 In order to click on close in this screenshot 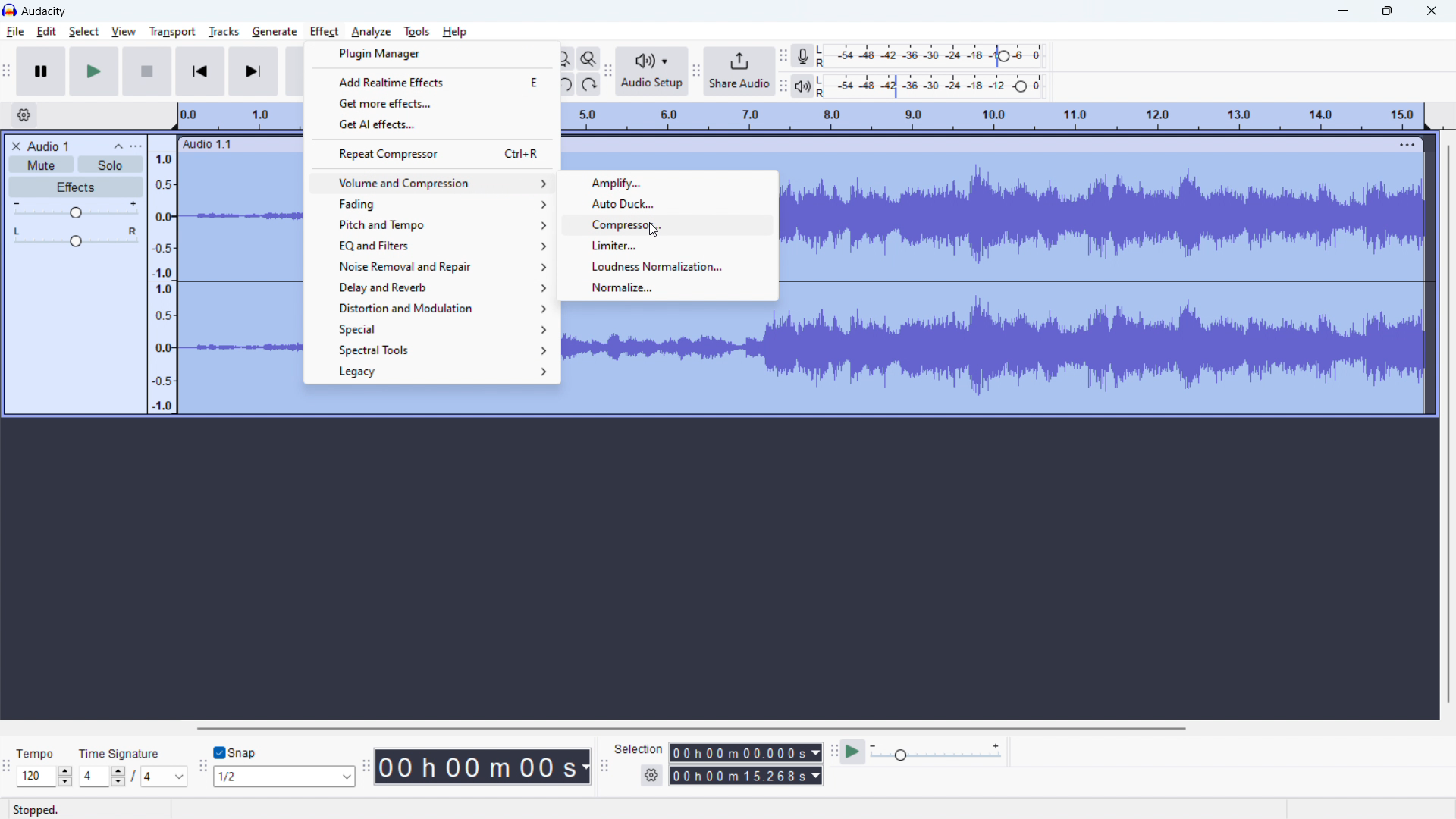, I will do `click(1432, 11)`.